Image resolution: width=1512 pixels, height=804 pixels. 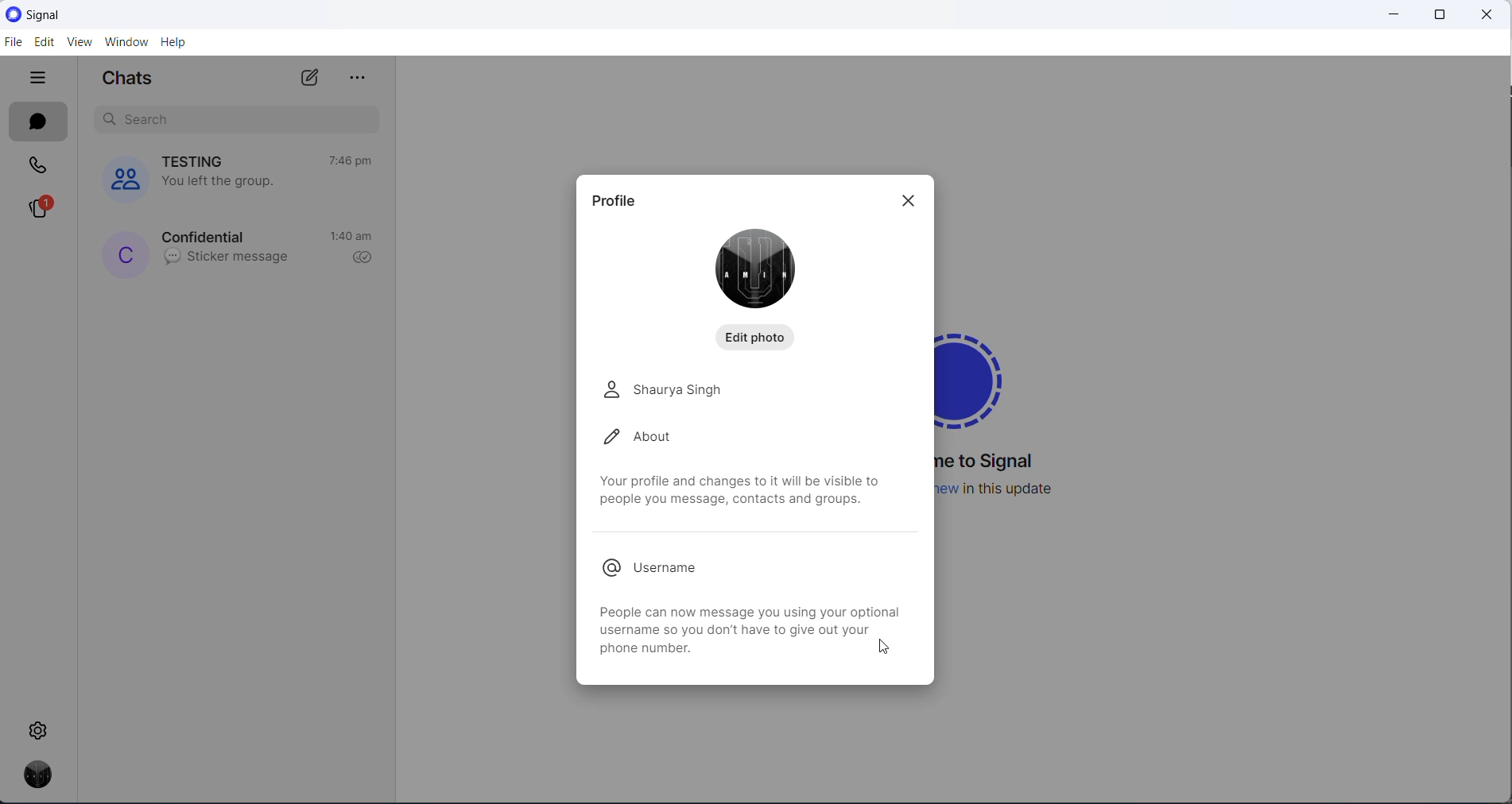 I want to click on left group notification, so click(x=229, y=181).